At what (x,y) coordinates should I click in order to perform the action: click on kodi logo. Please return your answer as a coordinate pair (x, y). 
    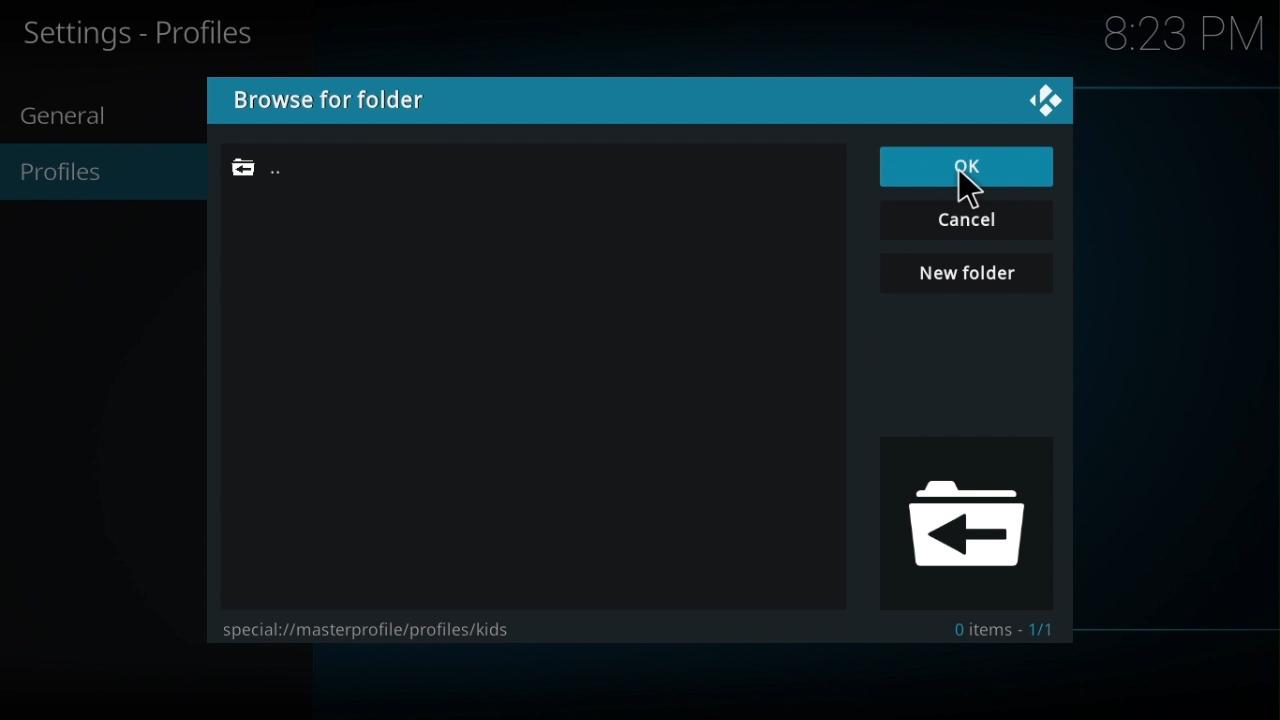
    Looking at the image, I should click on (1047, 102).